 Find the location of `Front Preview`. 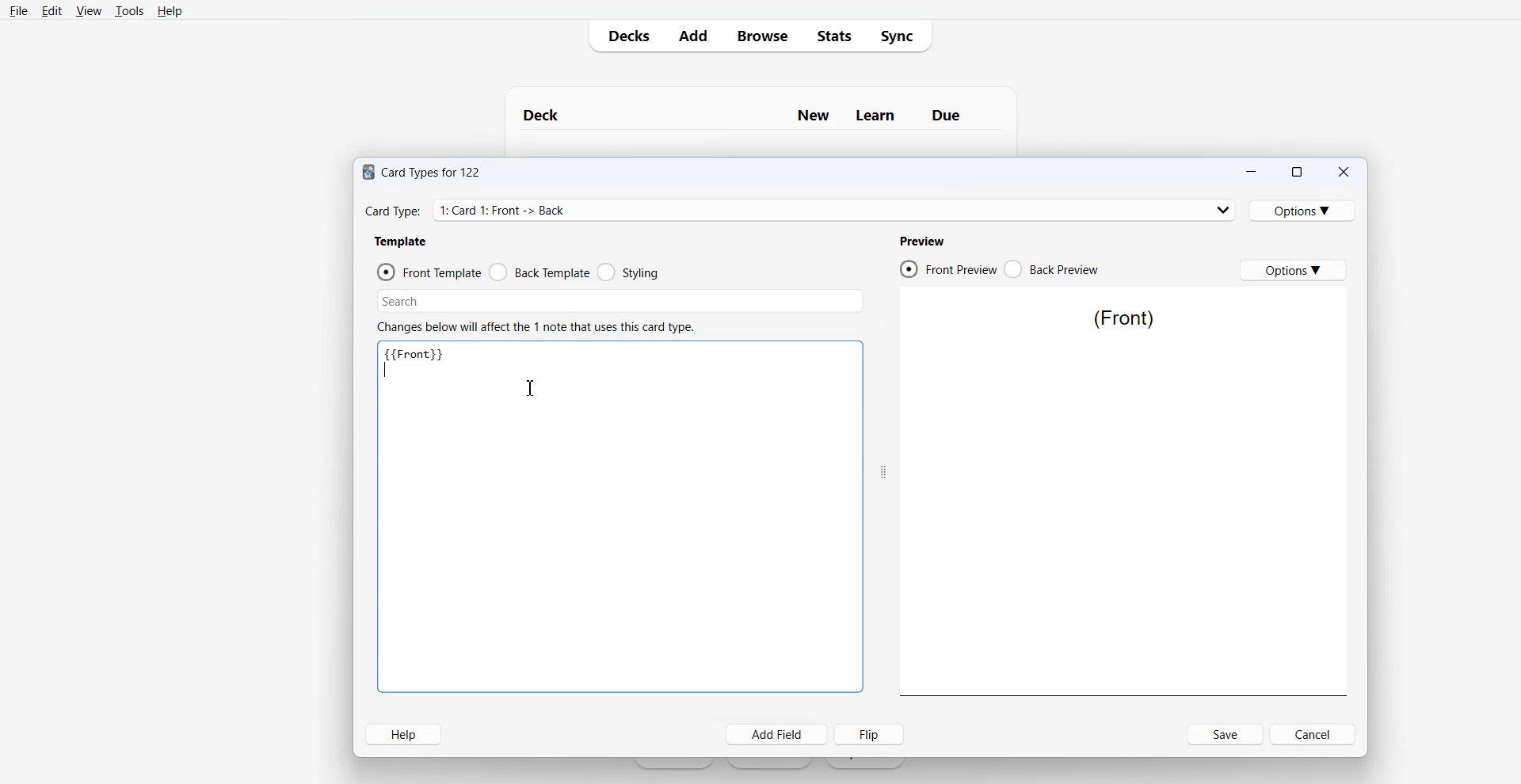

Front Preview is located at coordinates (947, 268).